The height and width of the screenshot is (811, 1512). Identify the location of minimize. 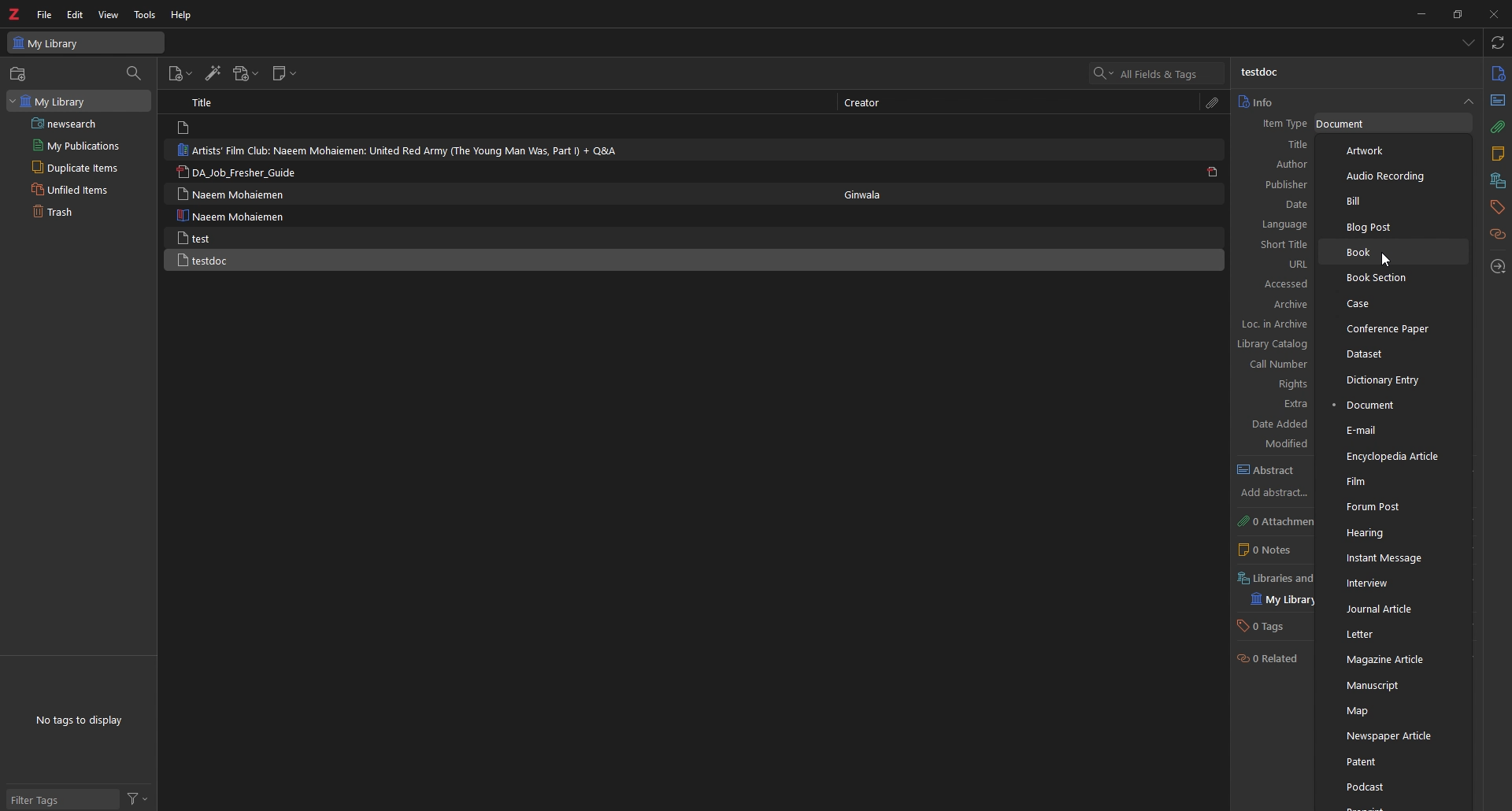
(1418, 14).